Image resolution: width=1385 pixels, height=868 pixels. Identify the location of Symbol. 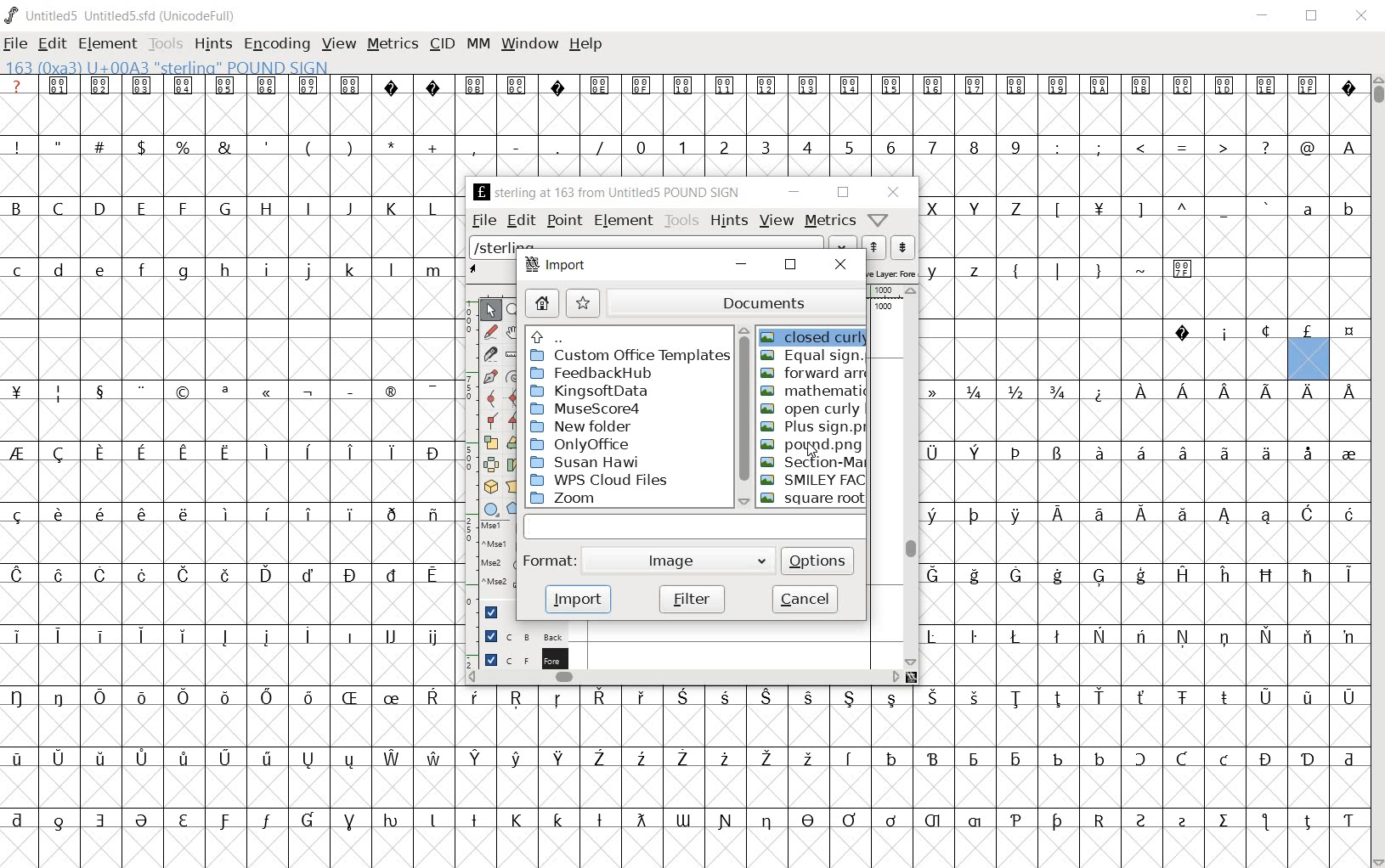
(809, 759).